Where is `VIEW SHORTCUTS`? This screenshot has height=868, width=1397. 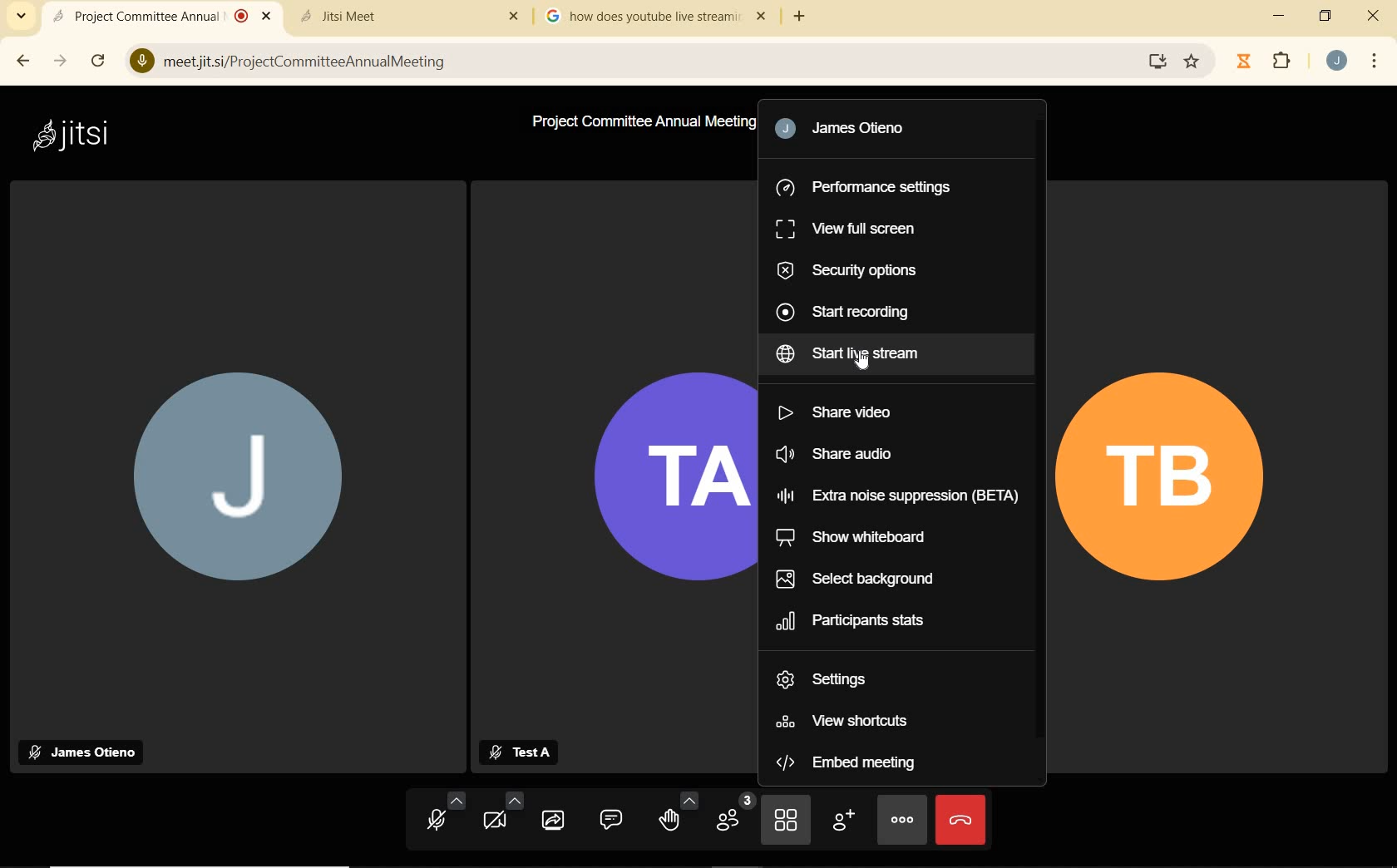
VIEW SHORTCUTS is located at coordinates (852, 722).